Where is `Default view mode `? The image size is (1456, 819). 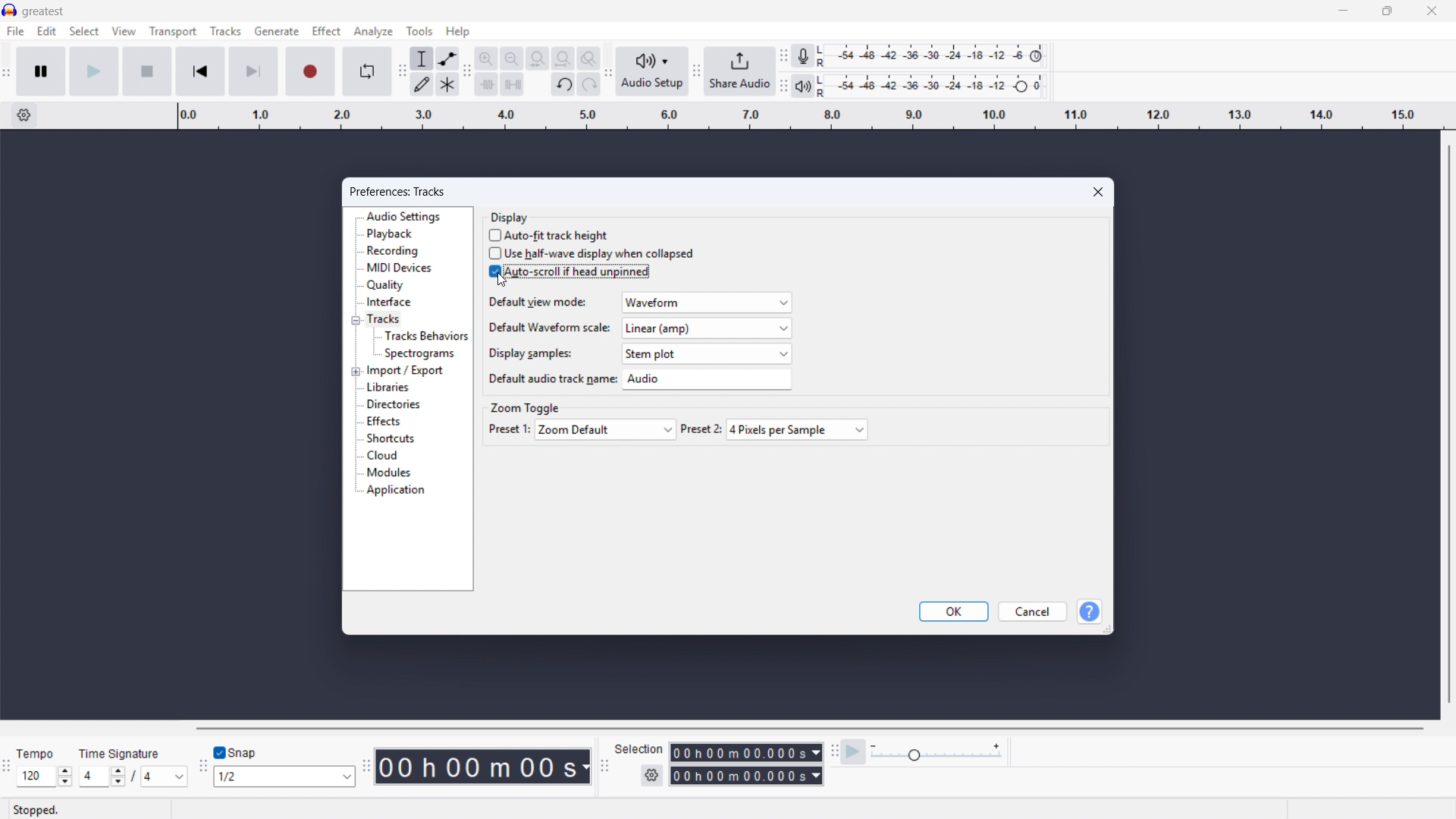 Default view mode  is located at coordinates (708, 303).